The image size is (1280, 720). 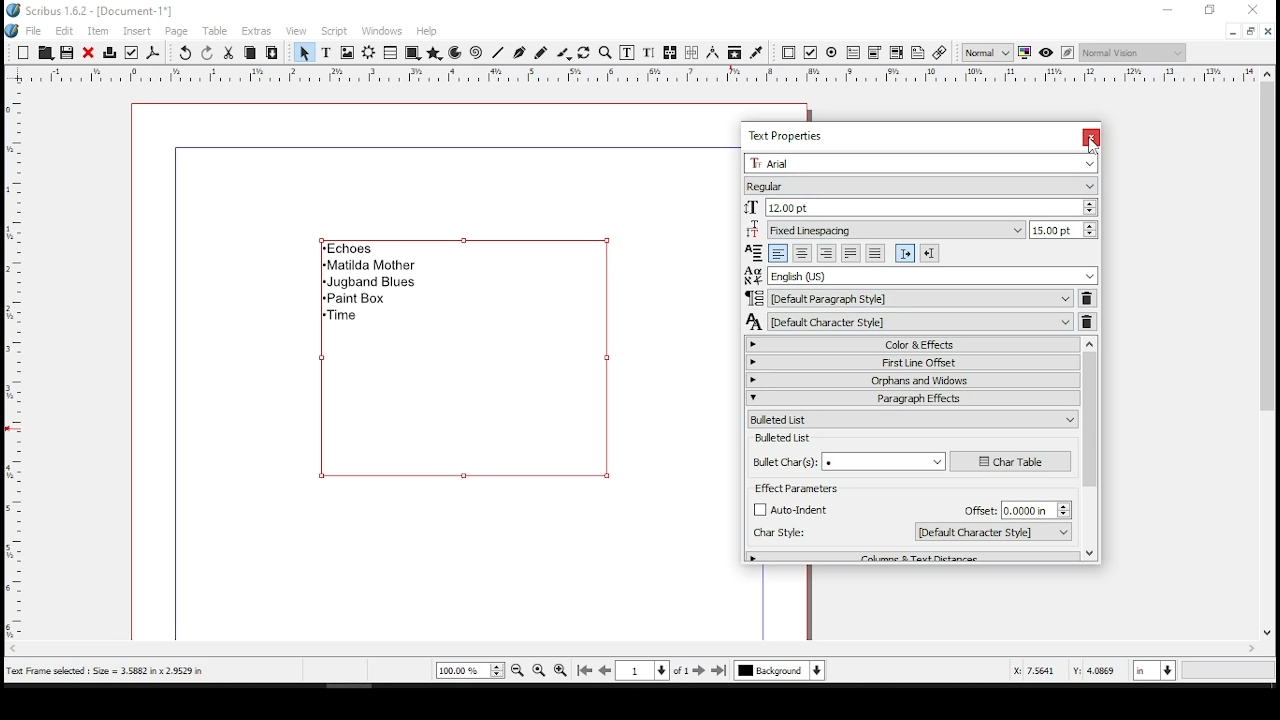 I want to click on PDF push button, so click(x=789, y=52).